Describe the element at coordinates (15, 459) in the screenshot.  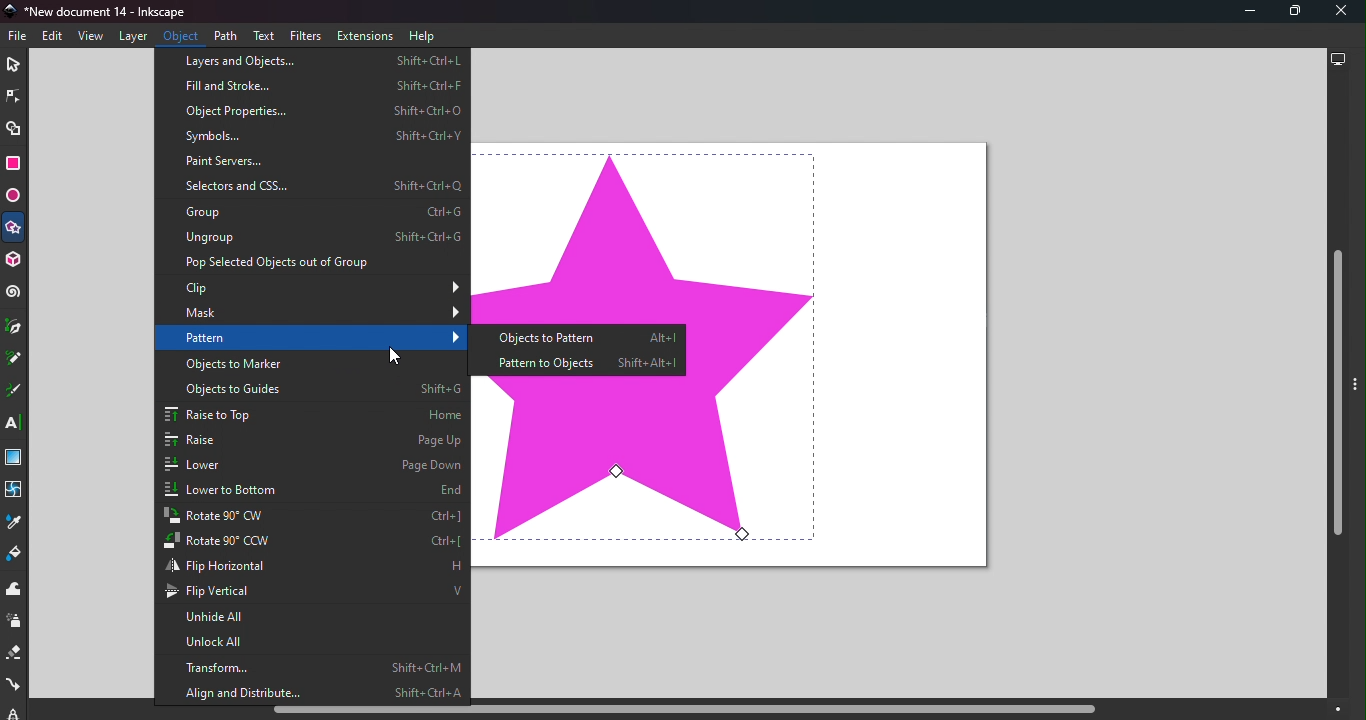
I see `Gradient tool` at that location.